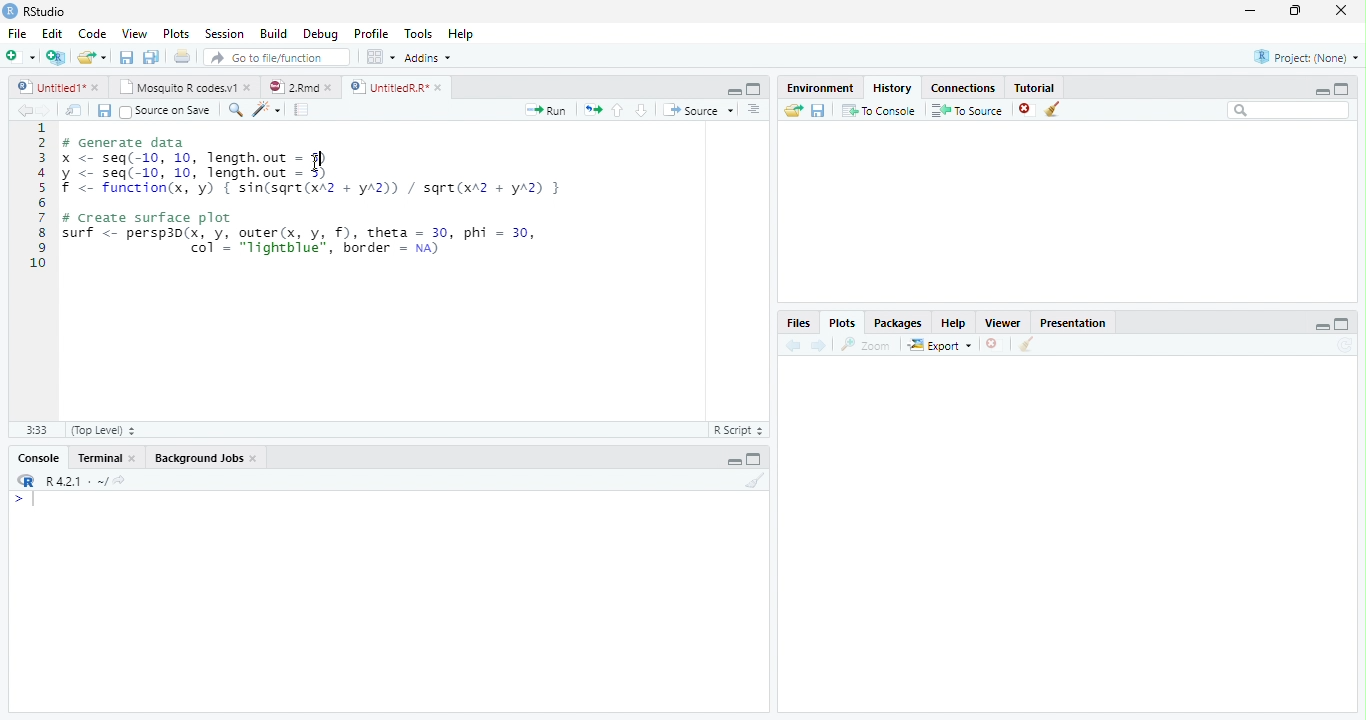 Image resolution: width=1366 pixels, height=720 pixels. I want to click on To Console, so click(879, 110).